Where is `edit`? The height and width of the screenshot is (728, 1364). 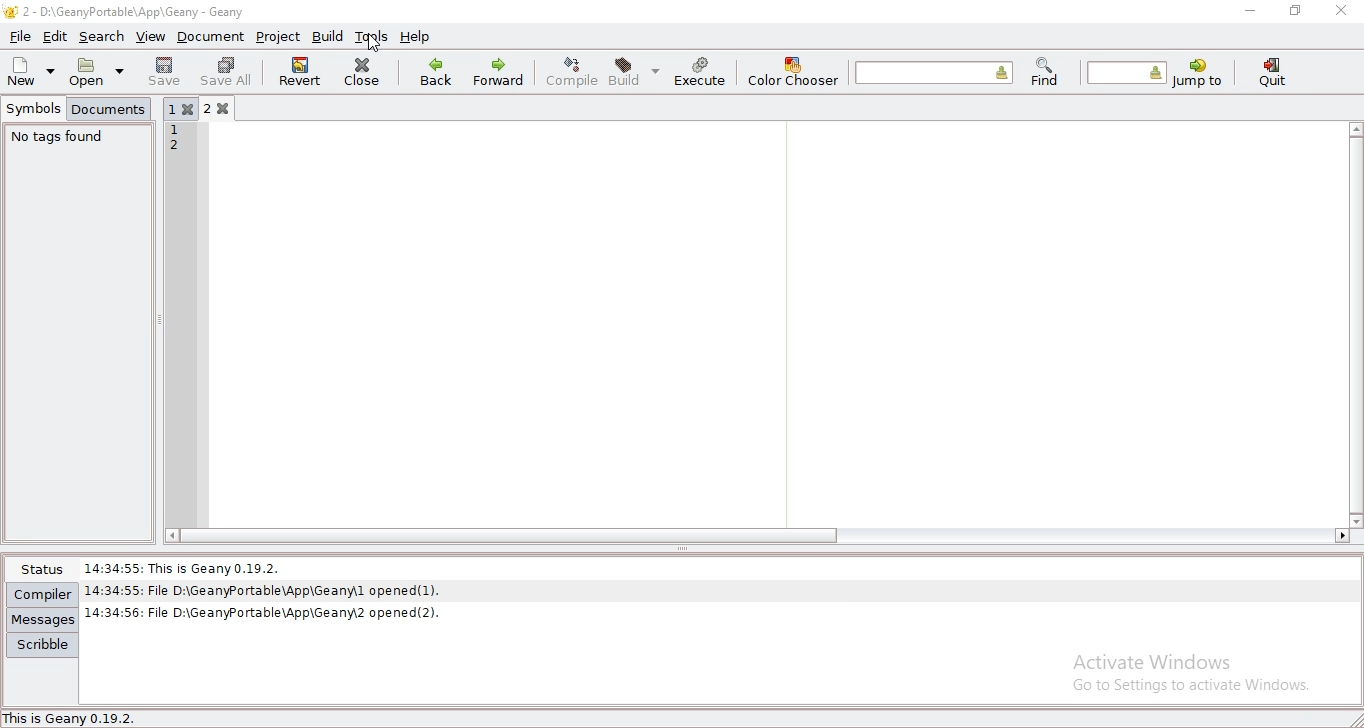
edit is located at coordinates (57, 35).